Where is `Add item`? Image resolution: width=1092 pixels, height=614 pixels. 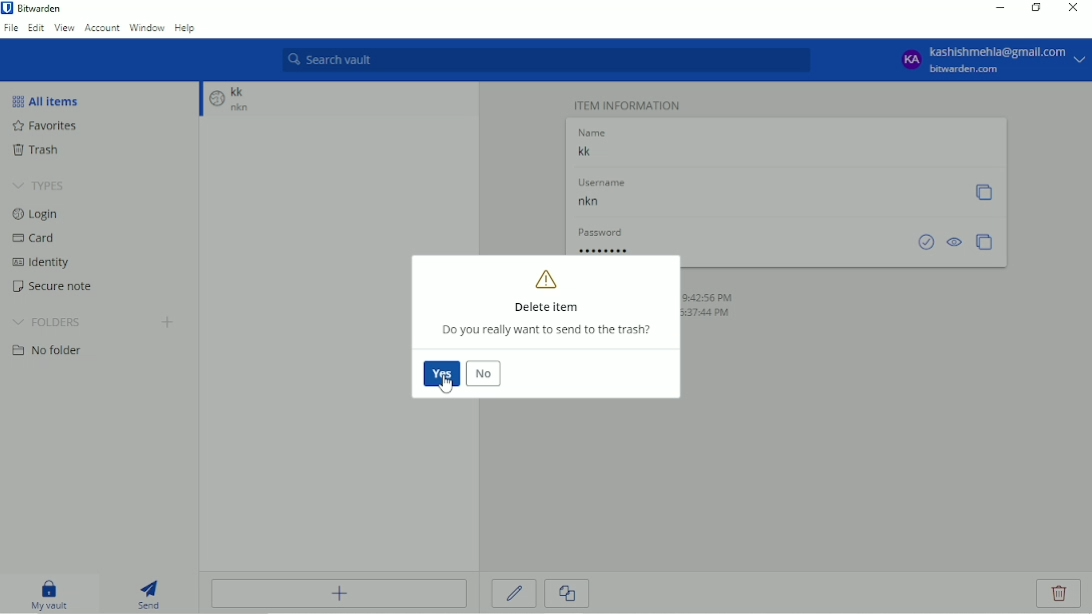 Add item is located at coordinates (339, 595).